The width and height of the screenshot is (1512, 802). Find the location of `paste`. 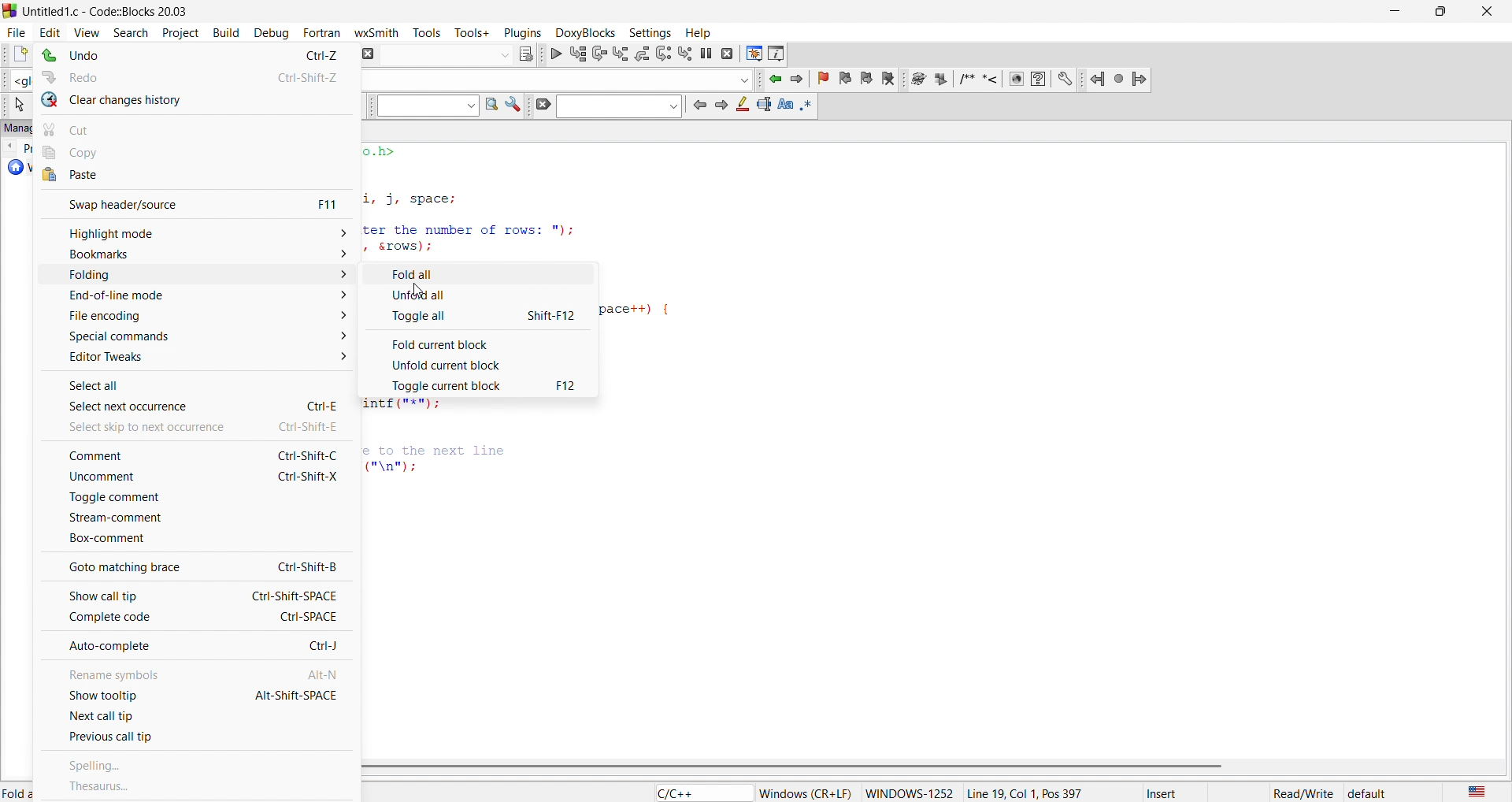

paste is located at coordinates (196, 176).